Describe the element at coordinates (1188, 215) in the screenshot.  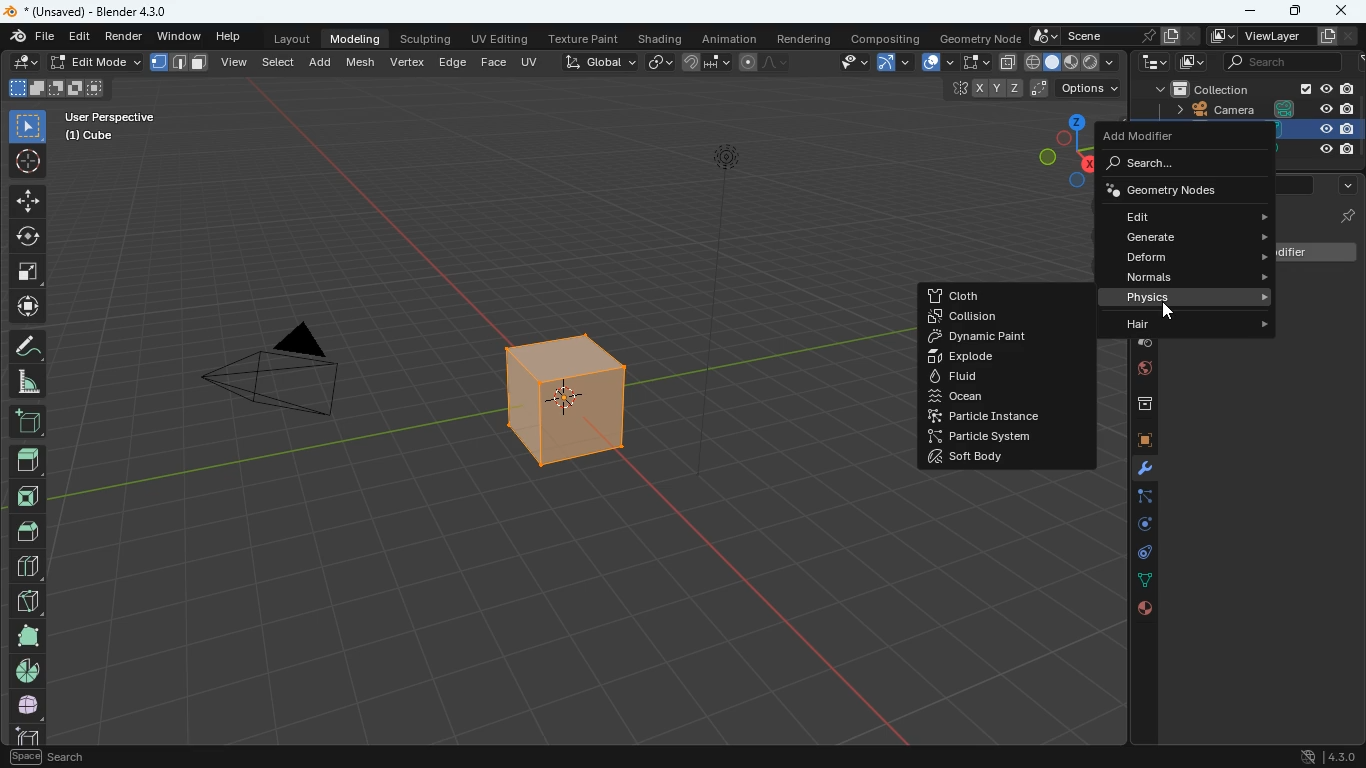
I see `edit` at that location.